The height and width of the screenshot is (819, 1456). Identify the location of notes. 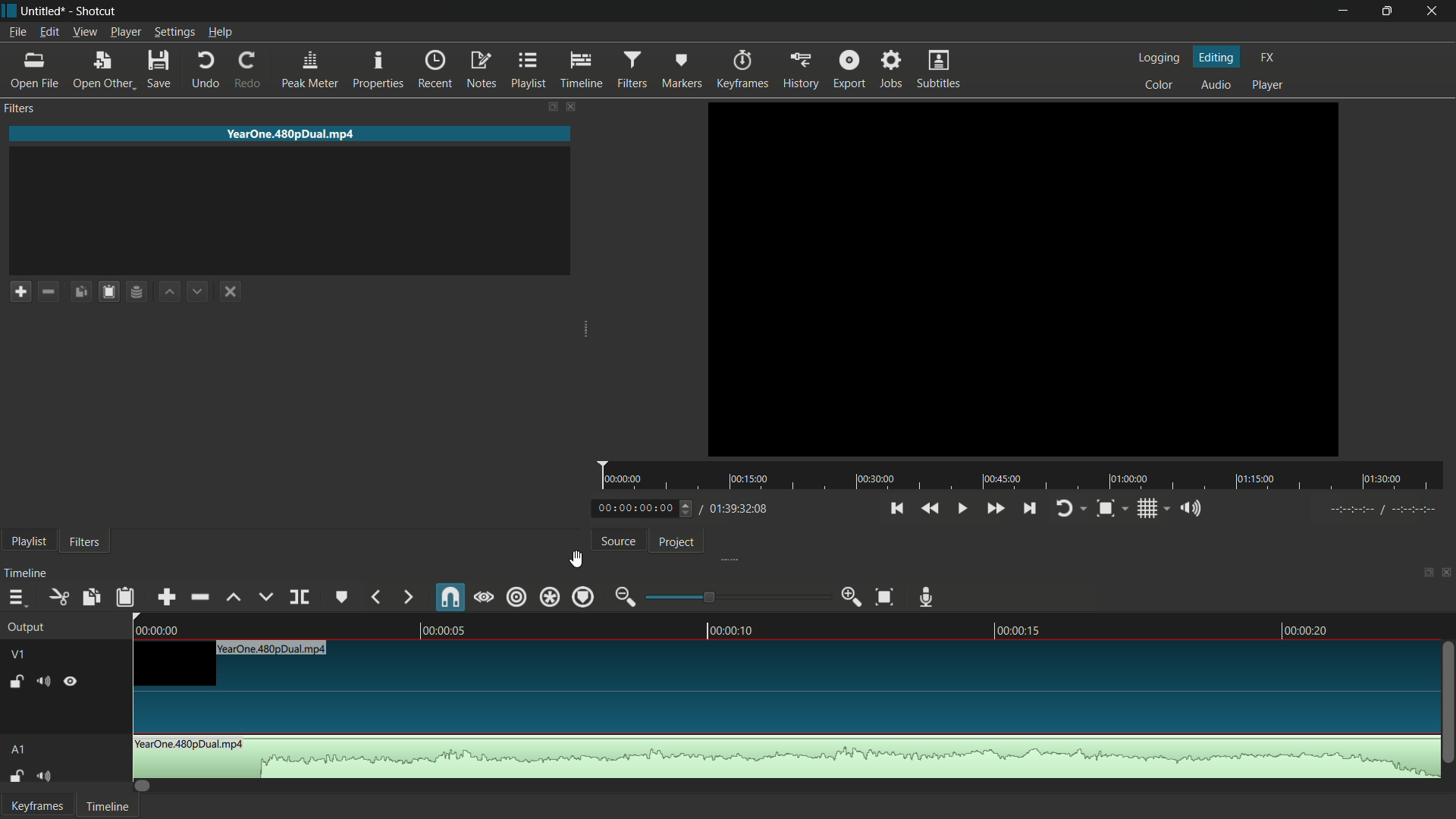
(482, 71).